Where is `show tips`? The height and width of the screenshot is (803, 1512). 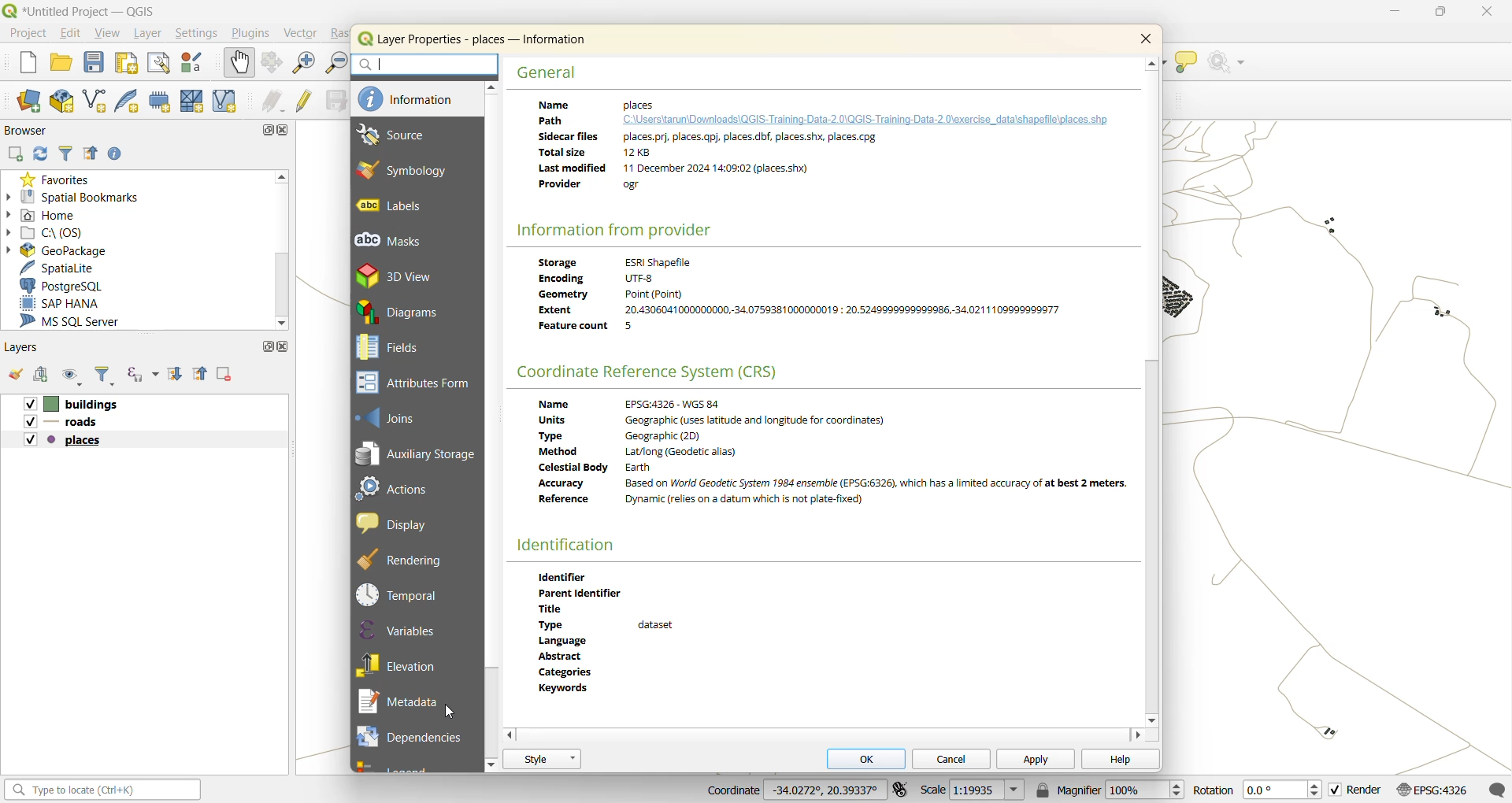 show tips is located at coordinates (1187, 64).